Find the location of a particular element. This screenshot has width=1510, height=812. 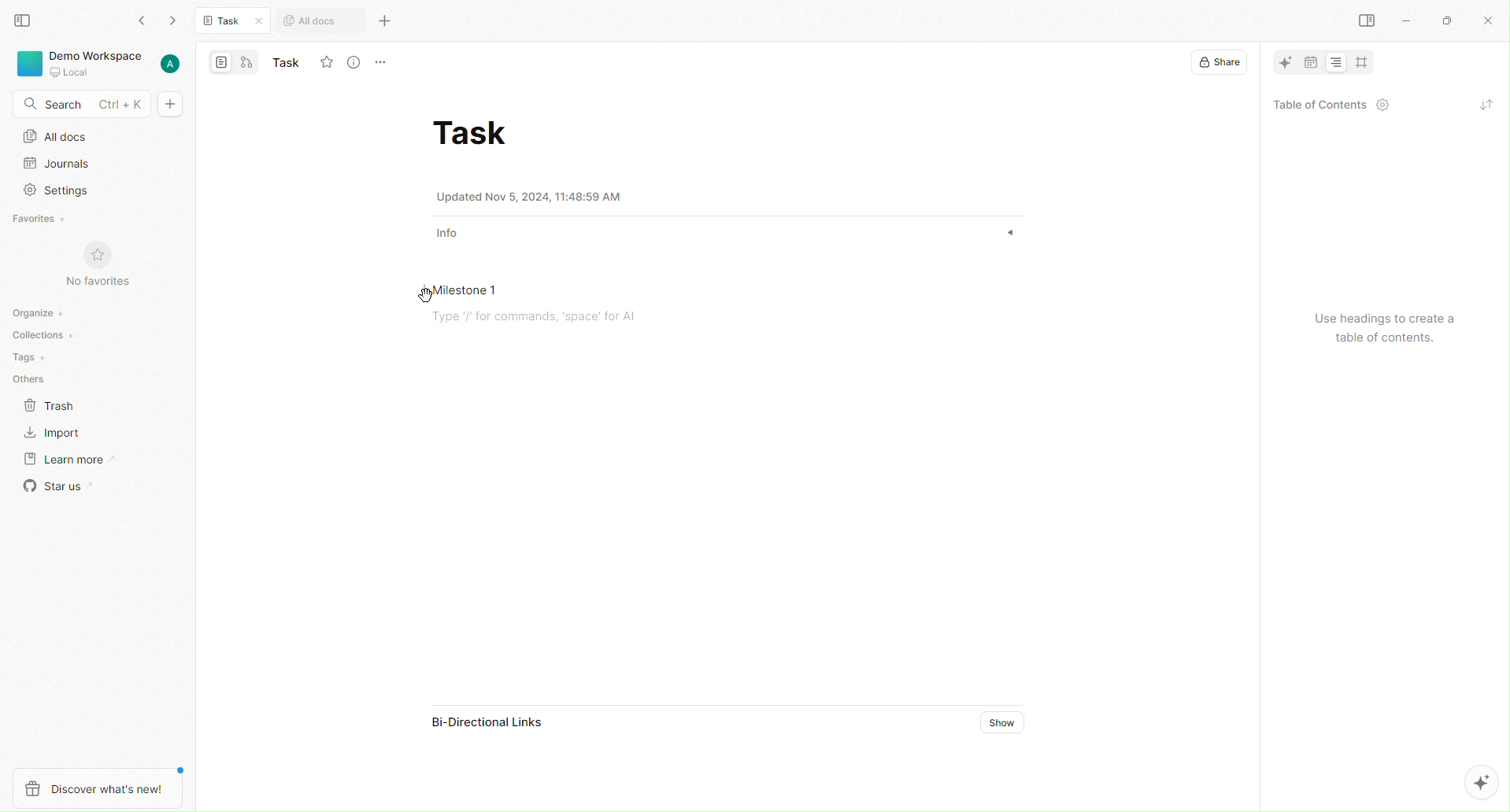

page mode is located at coordinates (220, 64).